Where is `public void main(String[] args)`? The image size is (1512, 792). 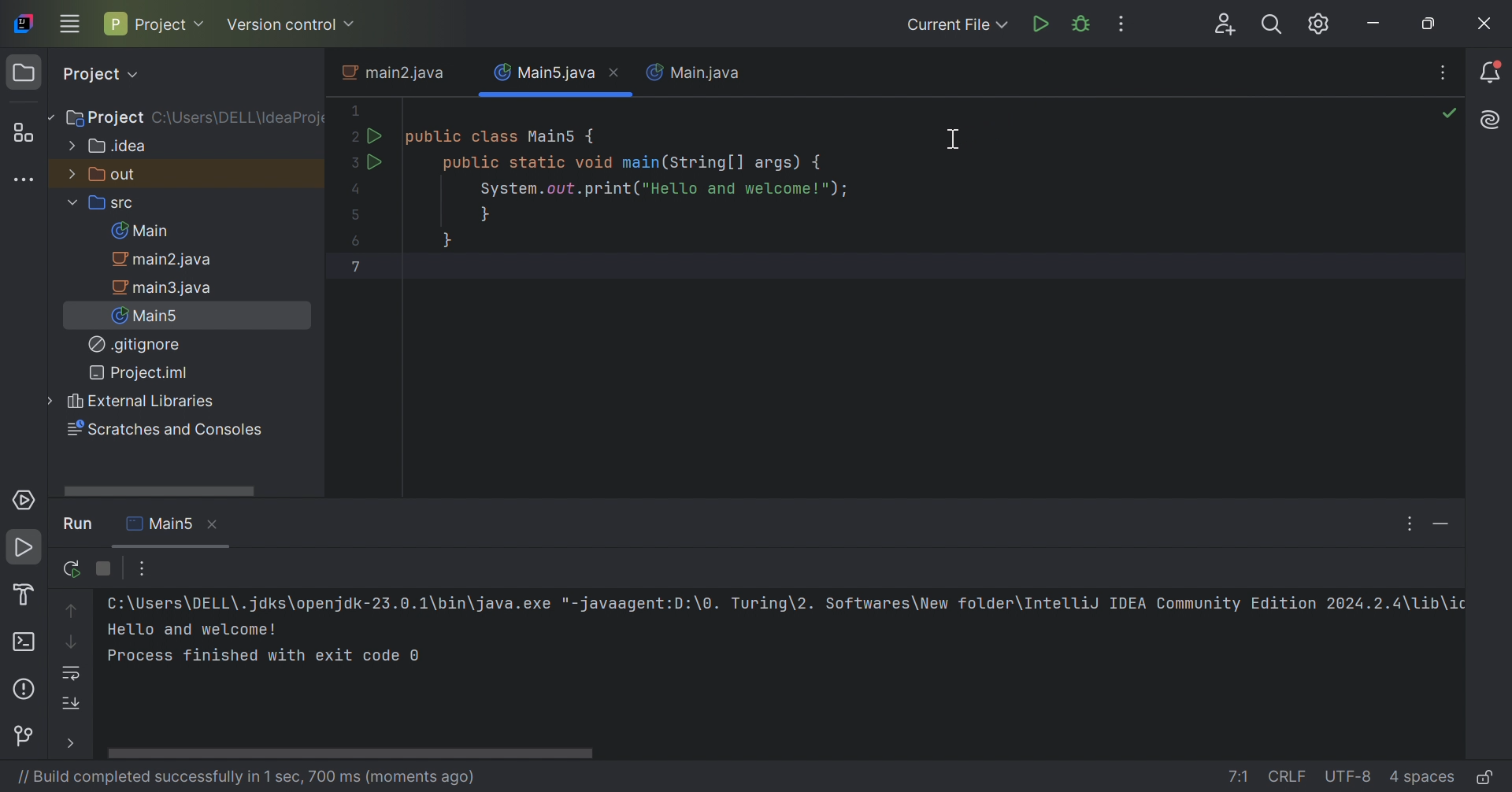
public void main(String[] args) is located at coordinates (636, 164).